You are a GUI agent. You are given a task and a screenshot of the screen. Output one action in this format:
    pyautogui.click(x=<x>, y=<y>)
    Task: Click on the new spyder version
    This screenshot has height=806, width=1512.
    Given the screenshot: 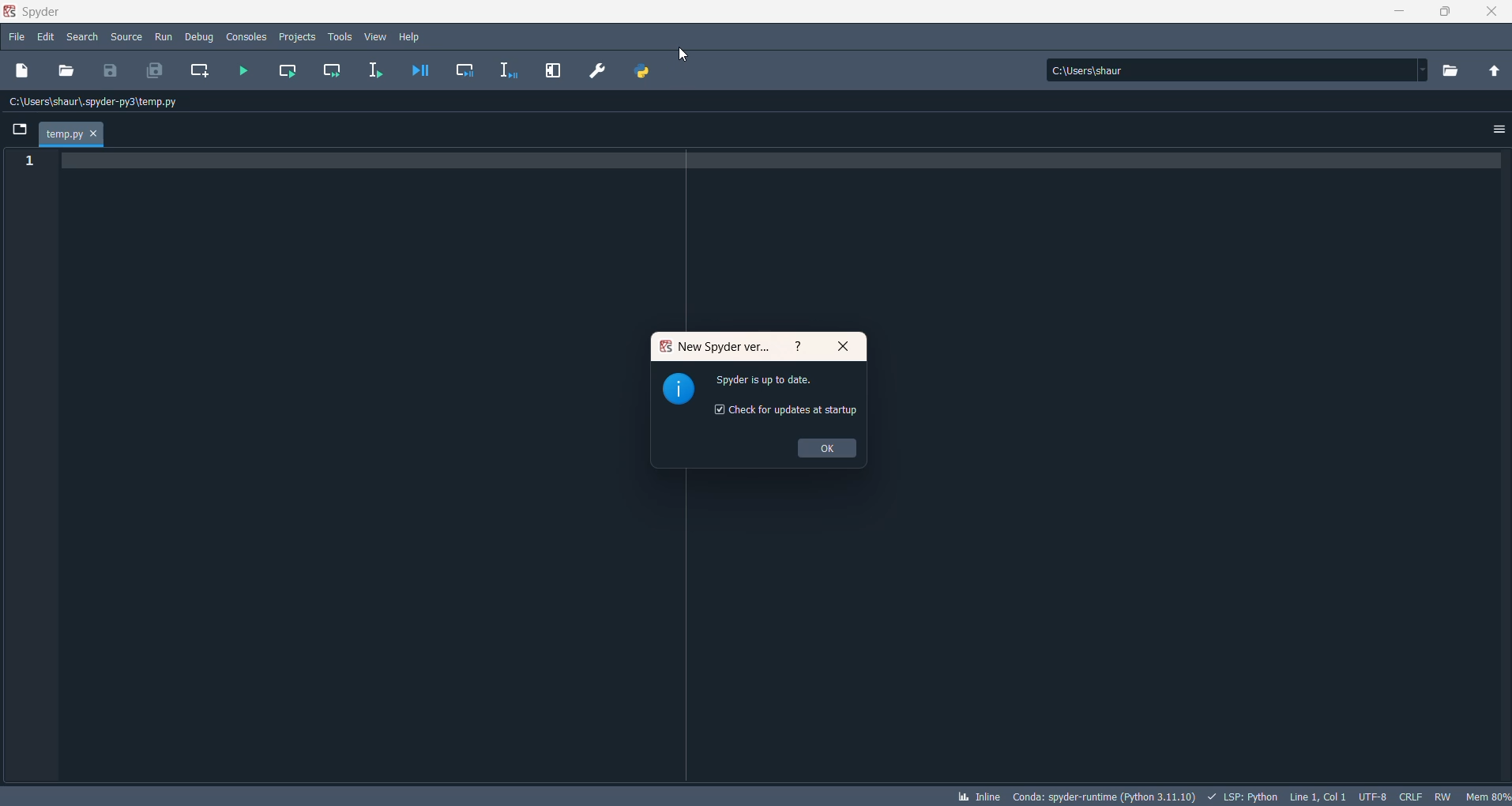 What is the action you would take?
    pyautogui.click(x=718, y=348)
    